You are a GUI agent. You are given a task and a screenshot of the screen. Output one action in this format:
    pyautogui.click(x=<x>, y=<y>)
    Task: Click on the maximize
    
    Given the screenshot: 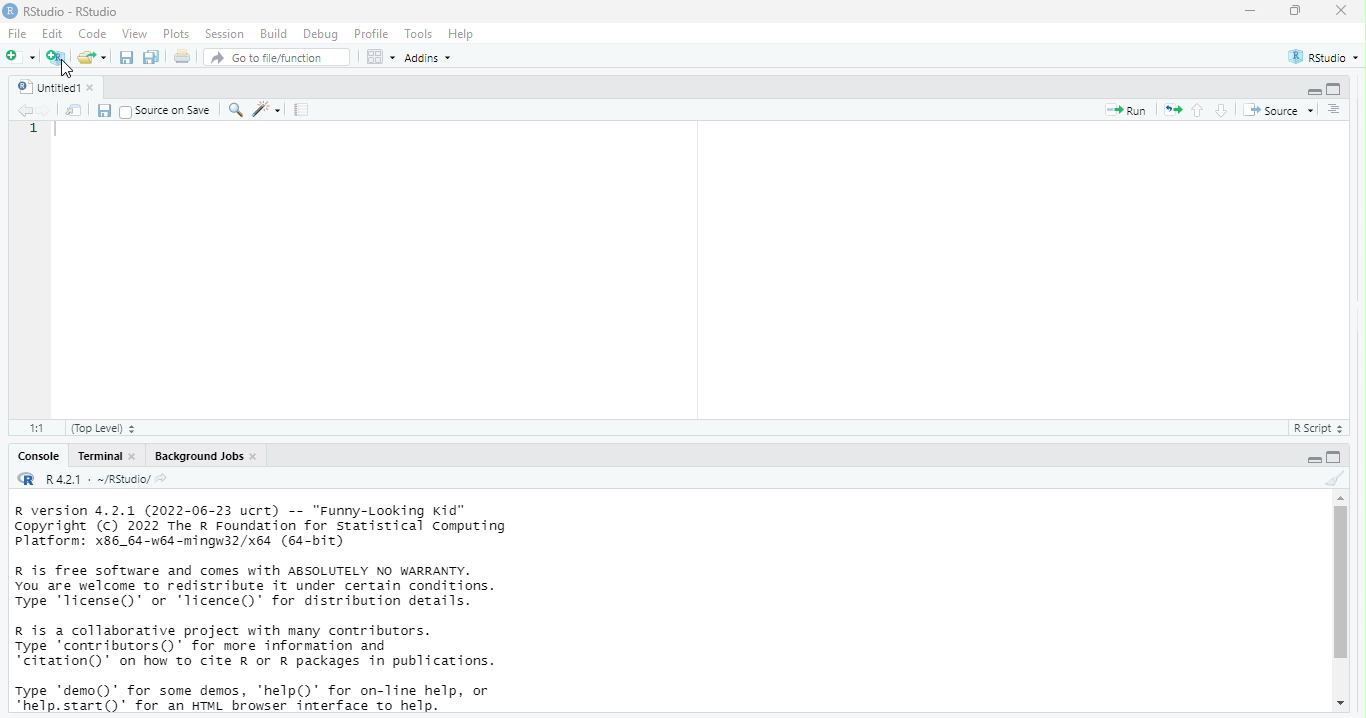 What is the action you would take?
    pyautogui.click(x=1346, y=455)
    